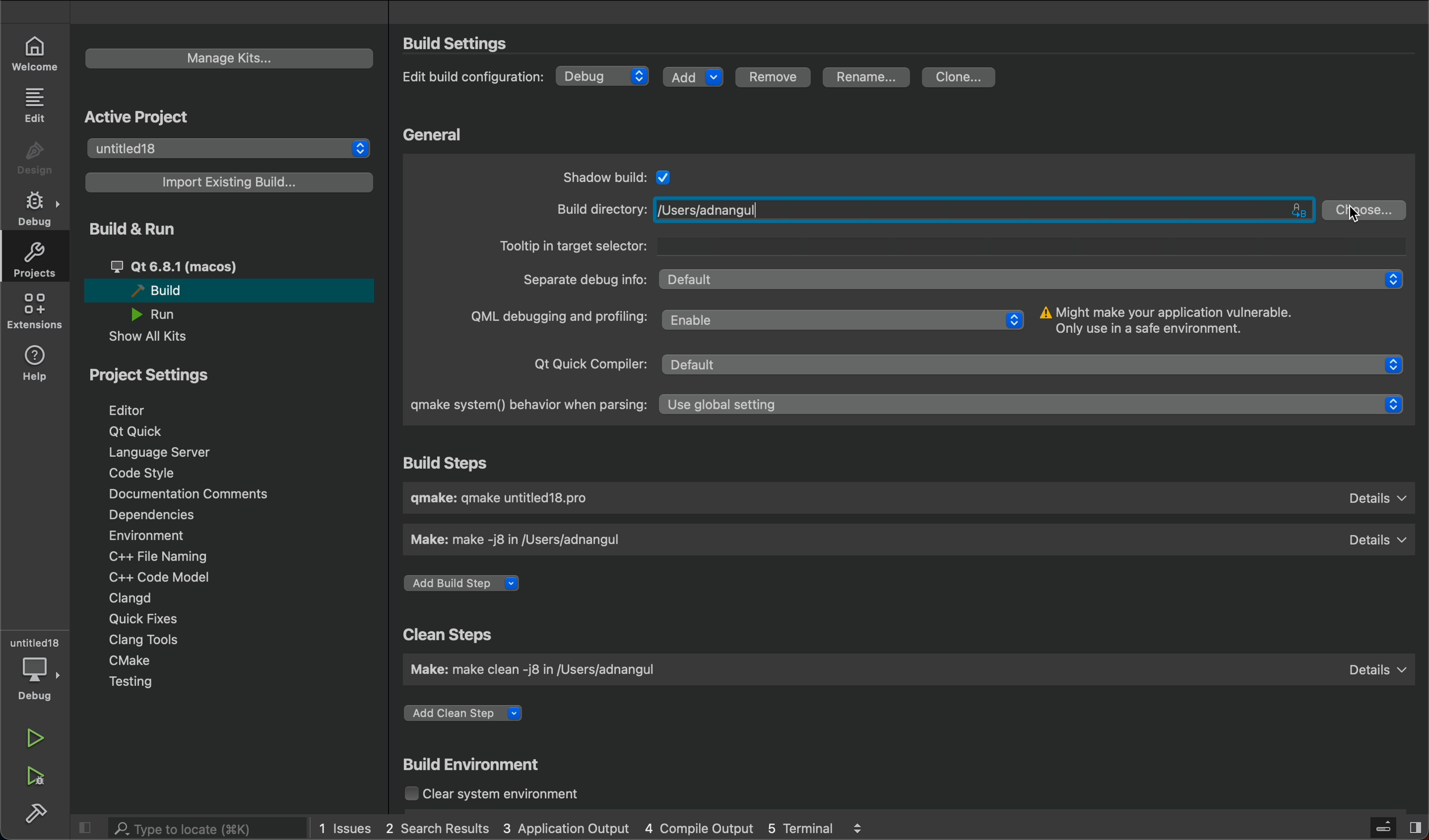 The image size is (1429, 840). What do you see at coordinates (1366, 209) in the screenshot?
I see `choose` at bounding box center [1366, 209].